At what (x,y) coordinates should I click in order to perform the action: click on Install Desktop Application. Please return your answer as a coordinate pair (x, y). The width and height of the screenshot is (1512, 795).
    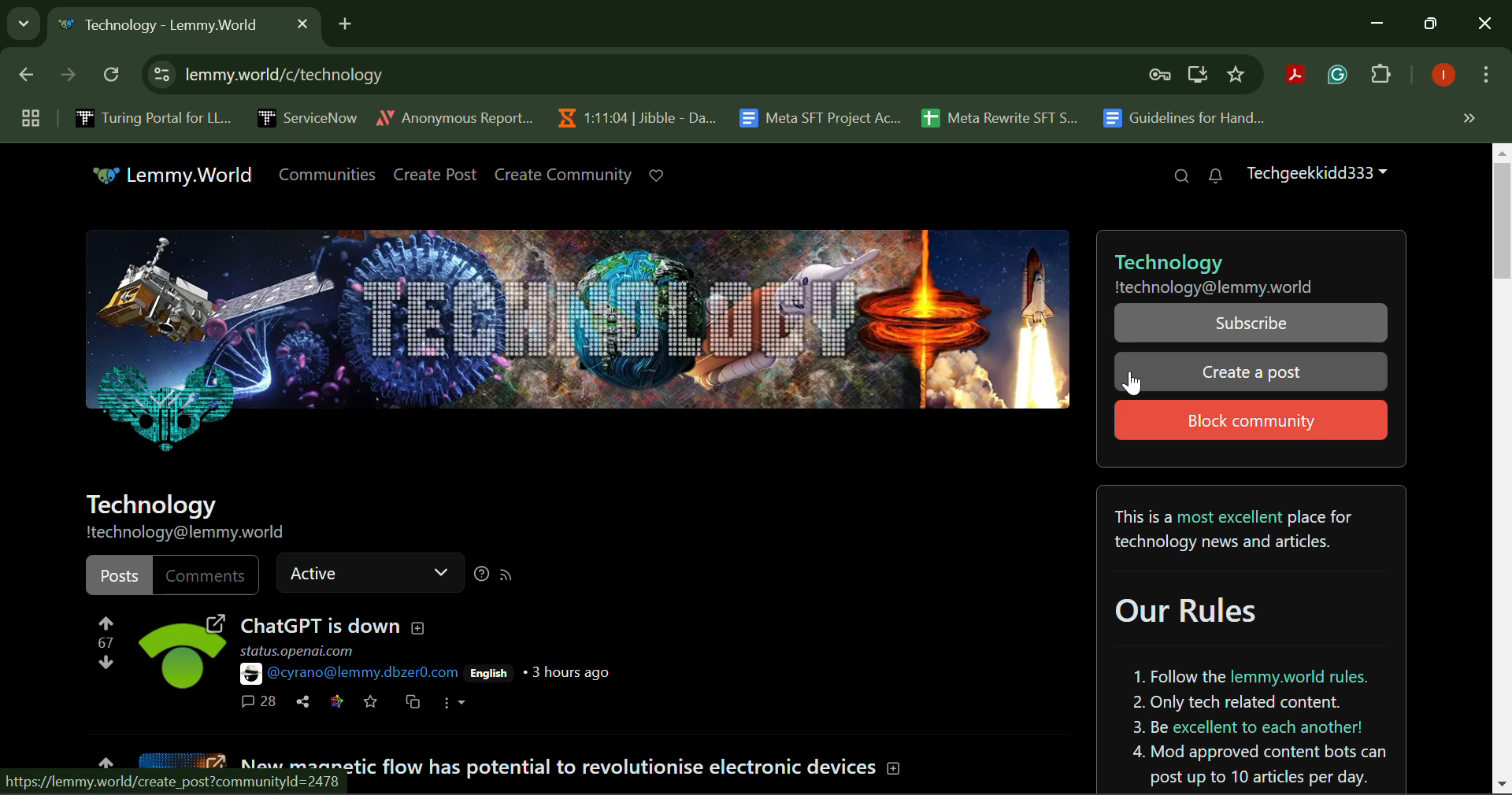
    Looking at the image, I should click on (1197, 76).